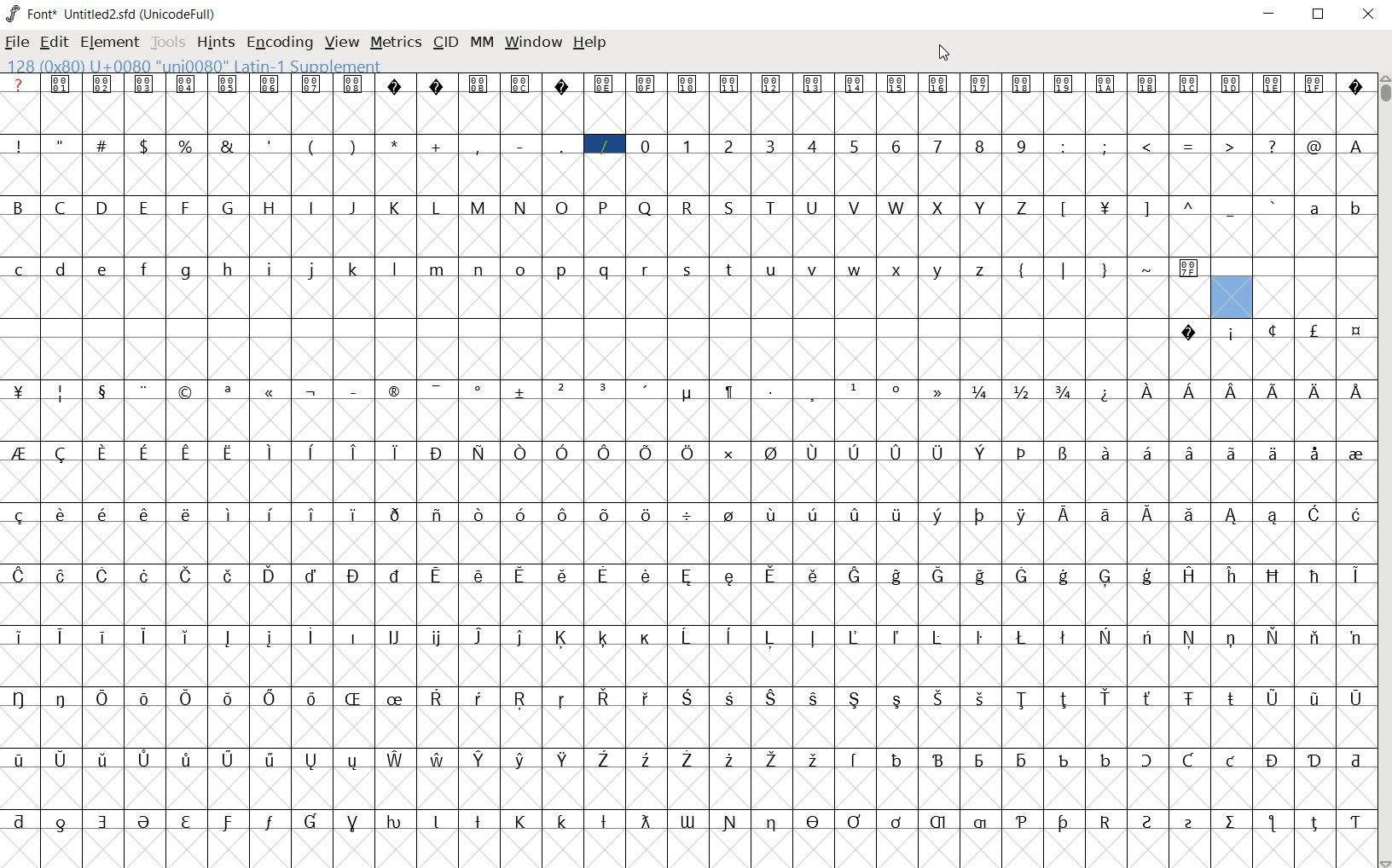 This screenshot has height=868, width=1392. I want to click on glyph, so click(1189, 391).